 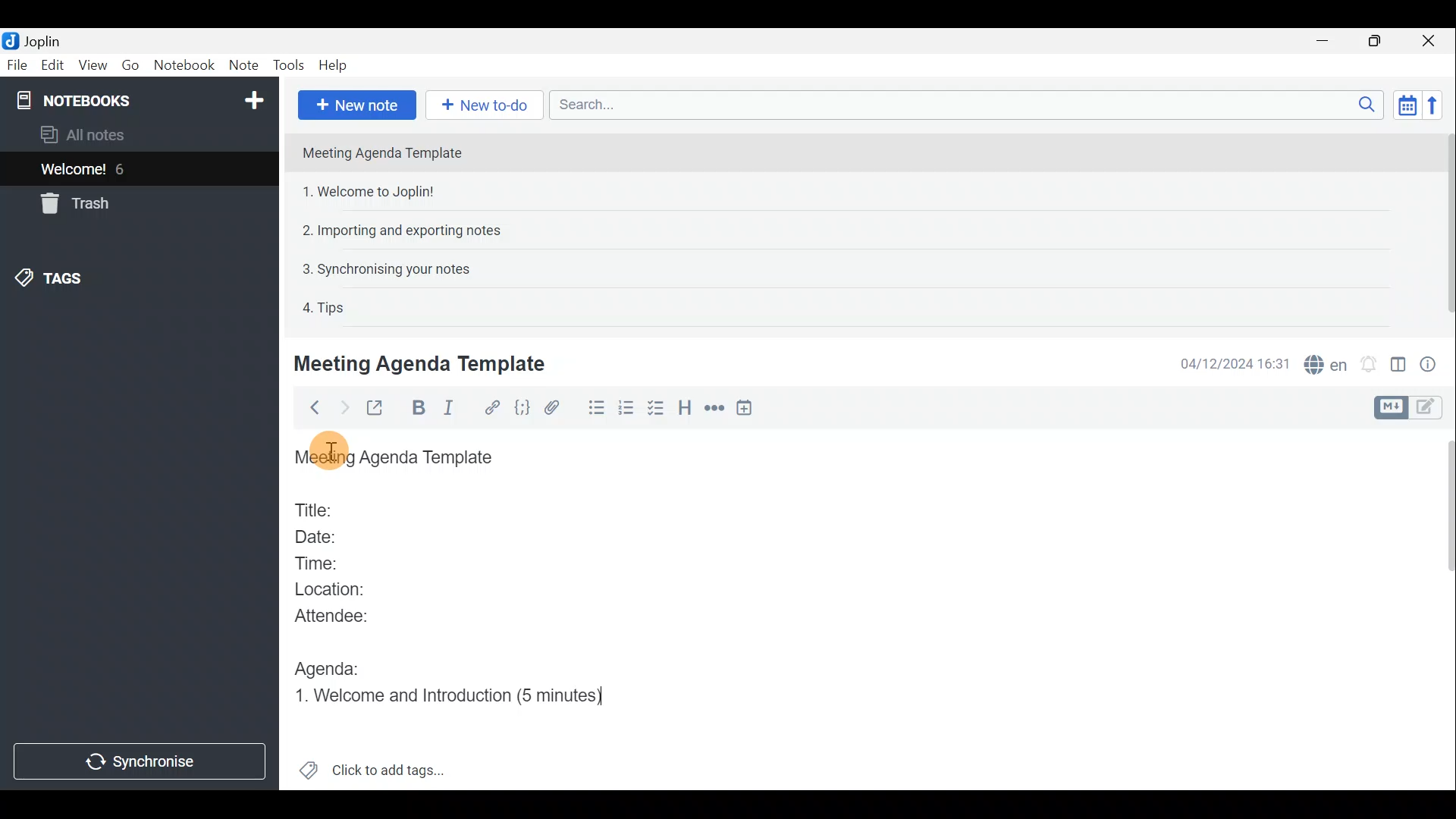 I want to click on New to-do, so click(x=480, y=104).